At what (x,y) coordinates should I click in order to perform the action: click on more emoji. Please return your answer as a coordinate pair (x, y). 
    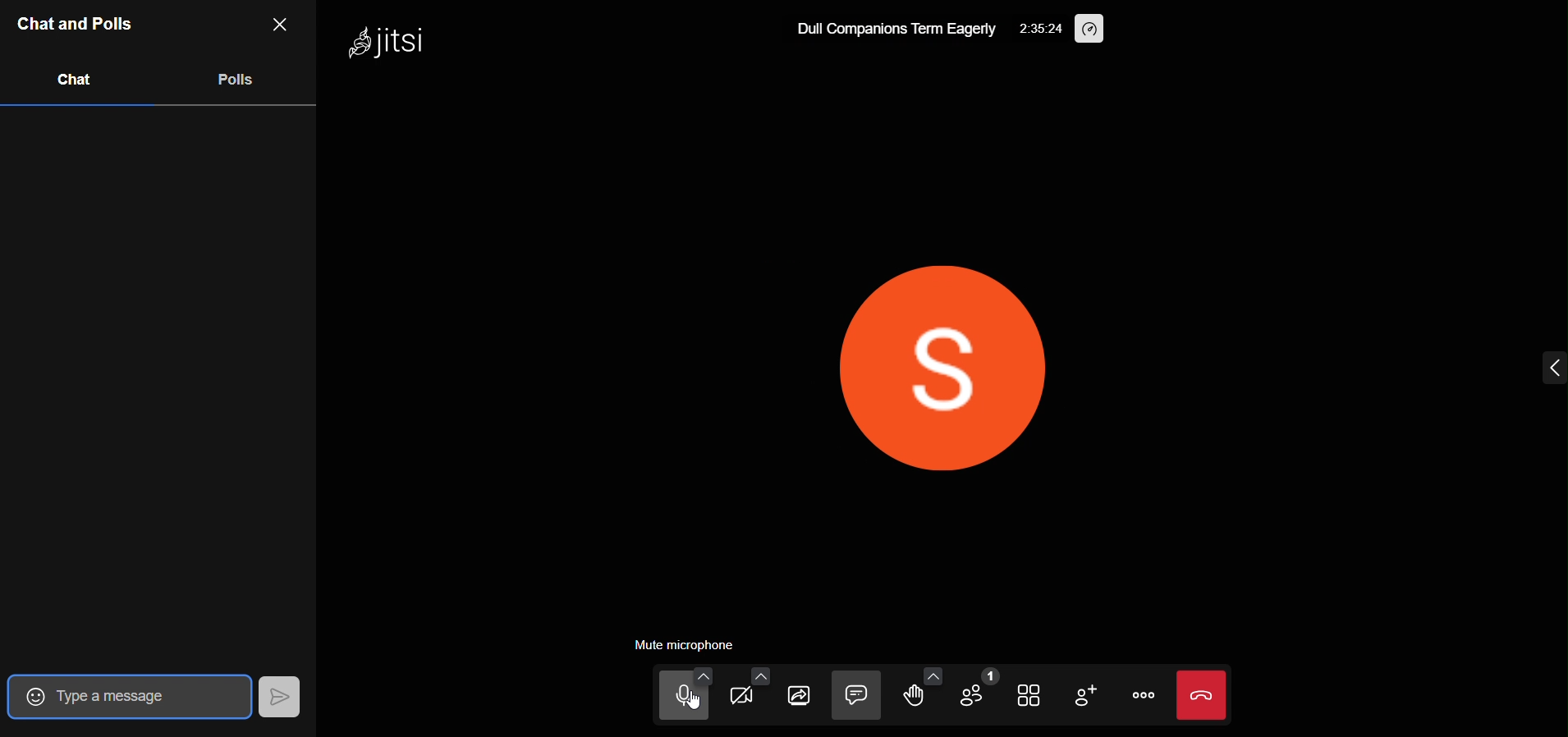
    Looking at the image, I should click on (929, 674).